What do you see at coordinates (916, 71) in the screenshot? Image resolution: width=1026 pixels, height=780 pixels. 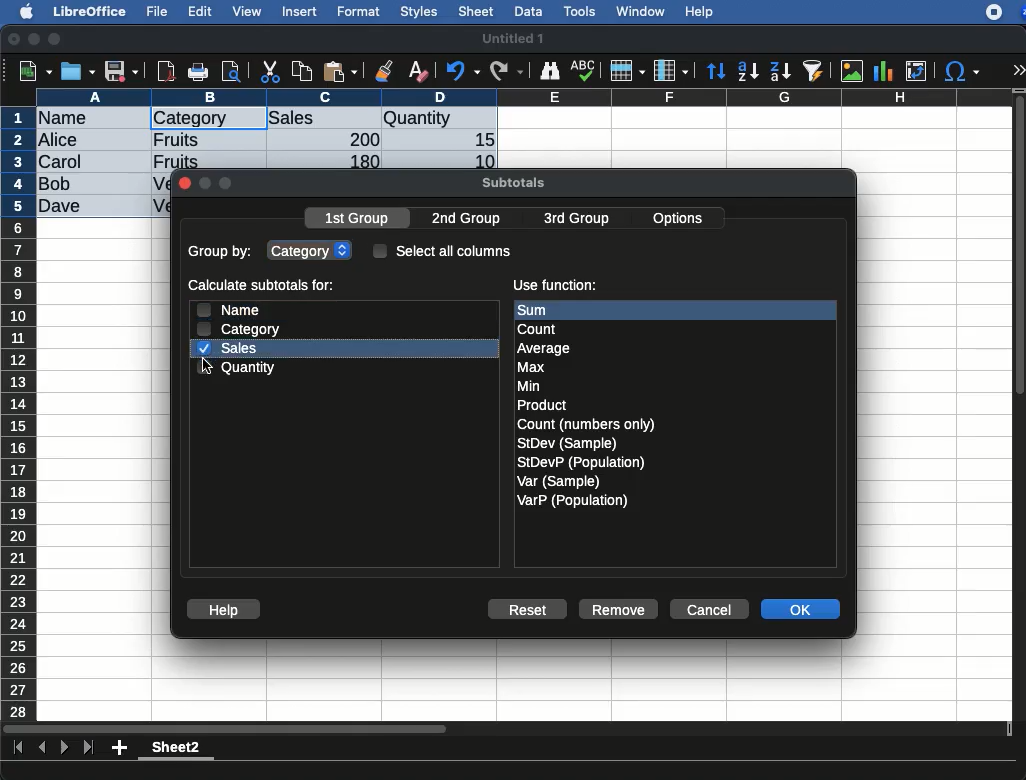 I see `pivot table` at bounding box center [916, 71].